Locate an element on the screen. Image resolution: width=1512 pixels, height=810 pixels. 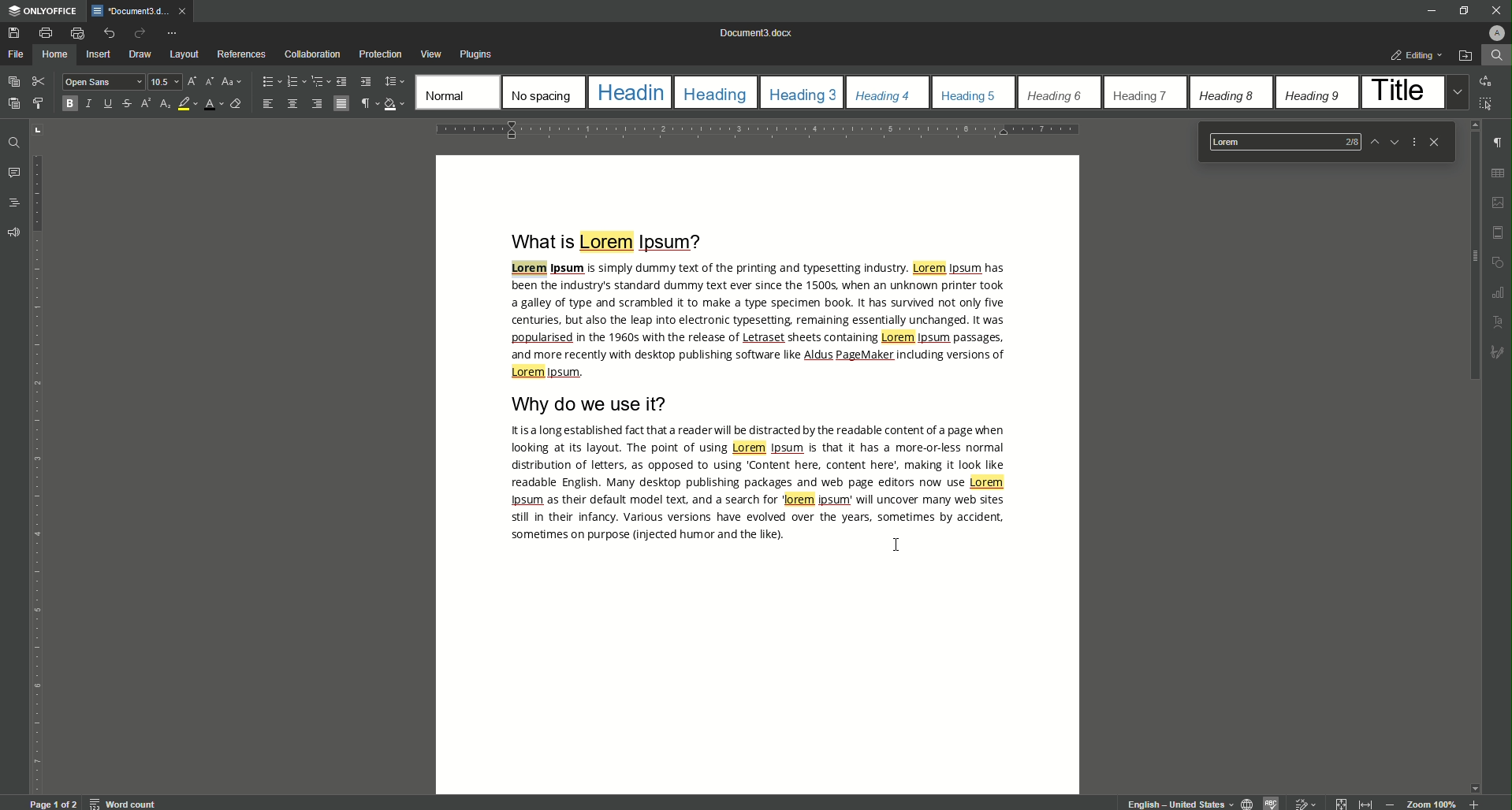
Close is located at coordinates (1494, 10).